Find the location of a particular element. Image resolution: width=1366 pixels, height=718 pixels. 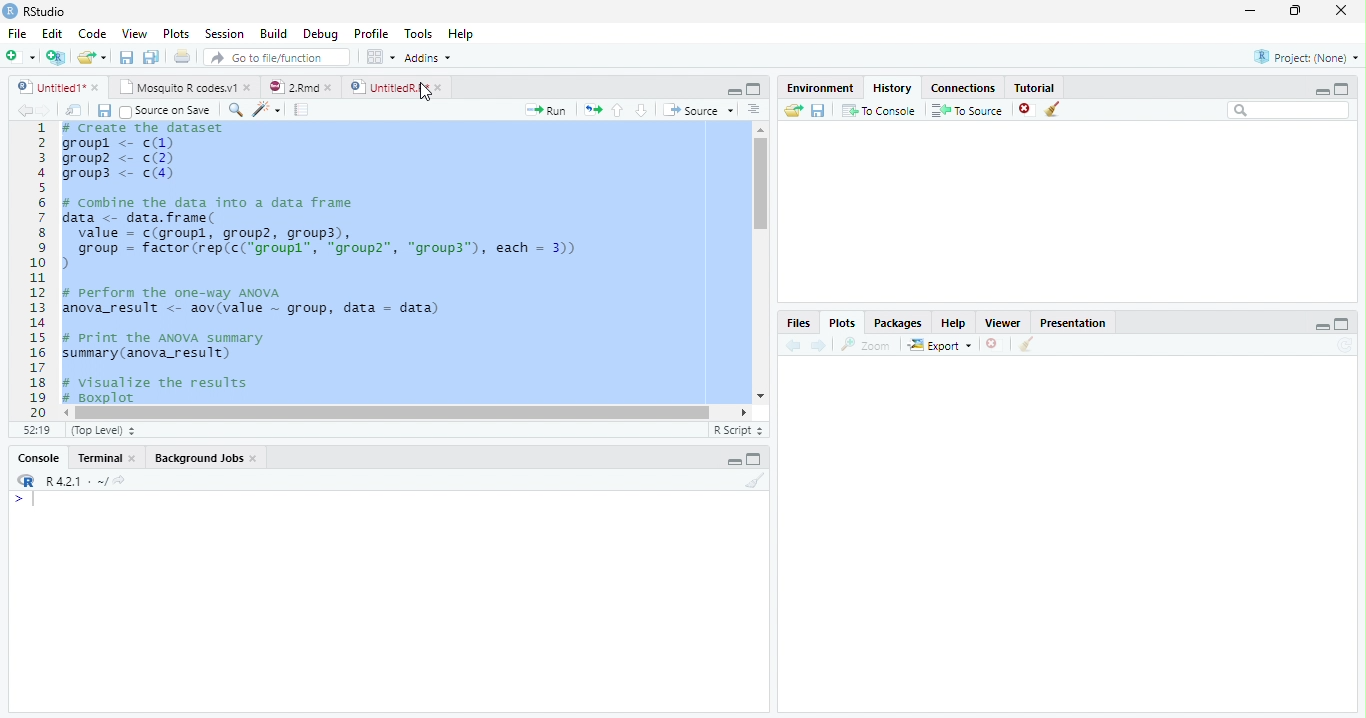

maximize is located at coordinates (1345, 88).